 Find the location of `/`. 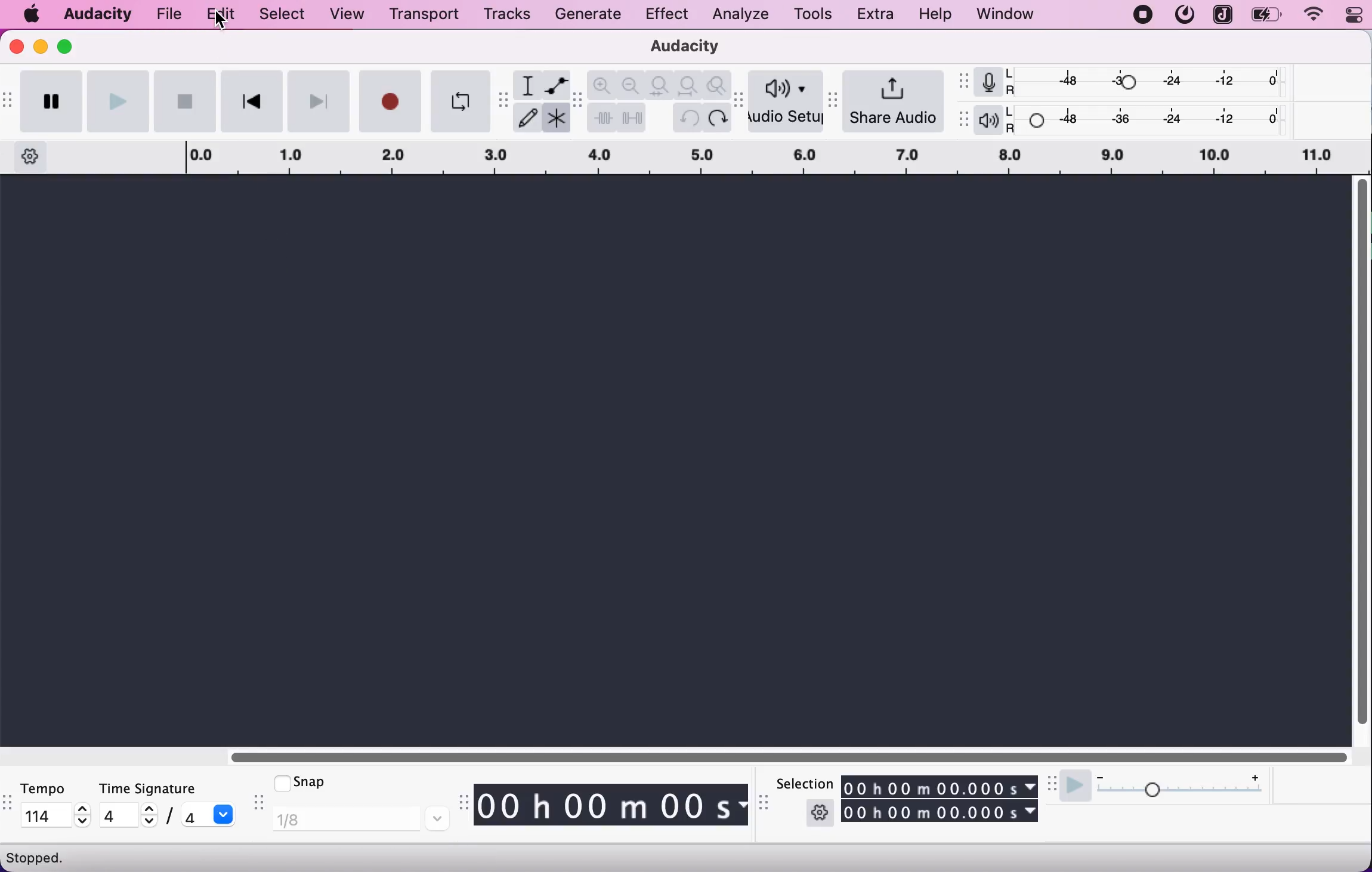

/ is located at coordinates (168, 818).